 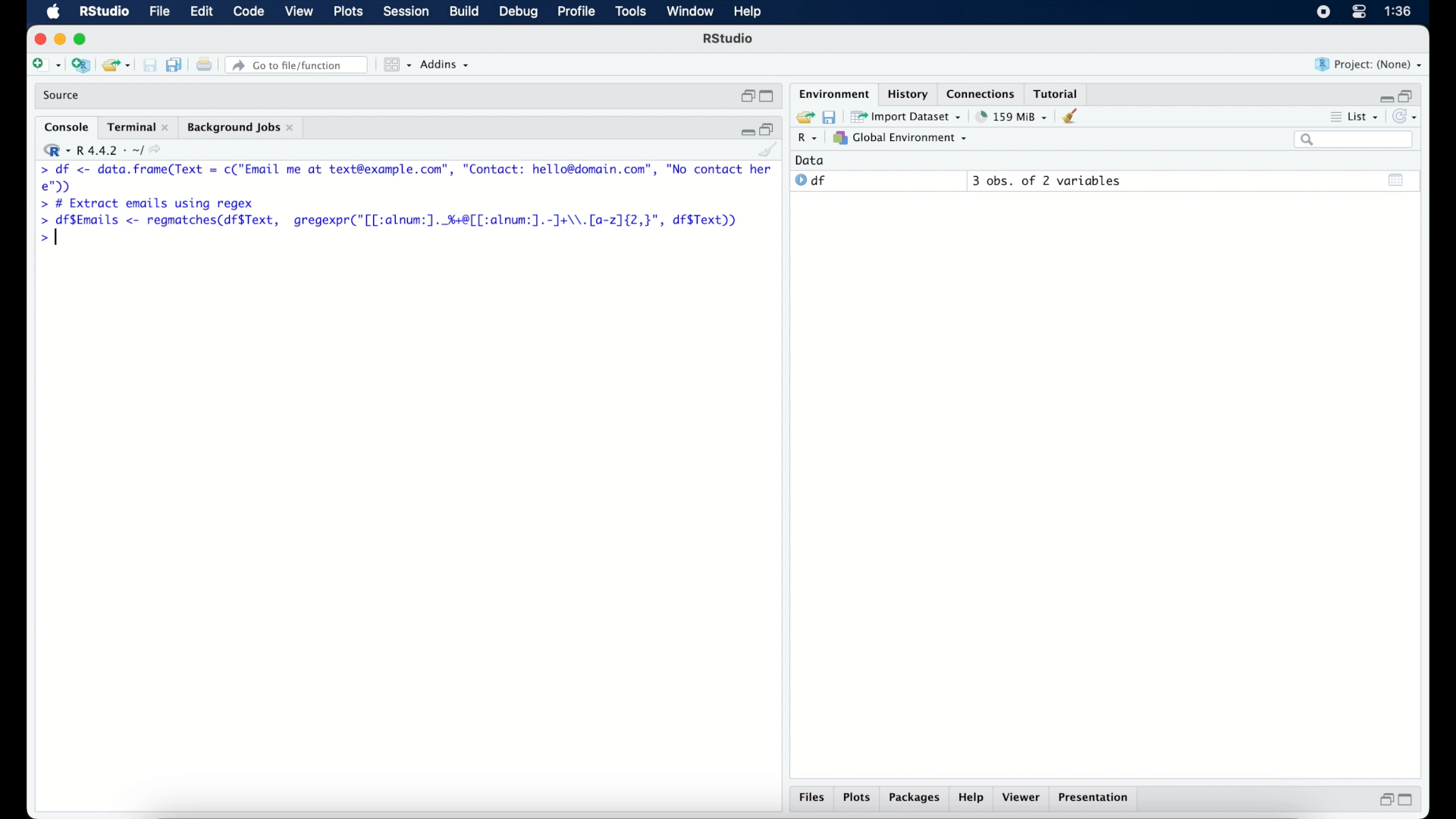 I want to click on command prompt, so click(x=46, y=239).